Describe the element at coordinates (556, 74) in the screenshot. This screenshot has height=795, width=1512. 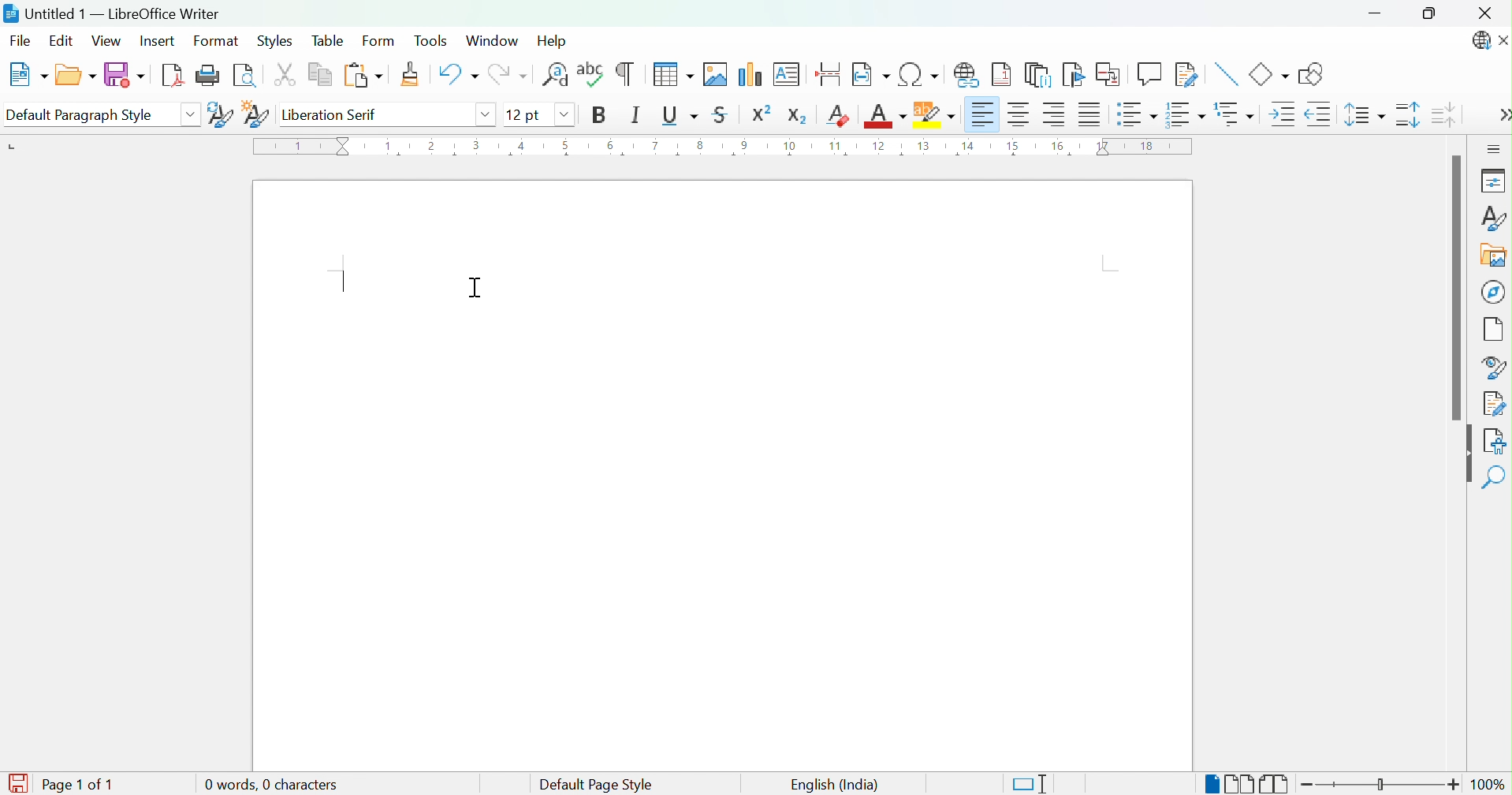
I see `Find and Replace` at that location.